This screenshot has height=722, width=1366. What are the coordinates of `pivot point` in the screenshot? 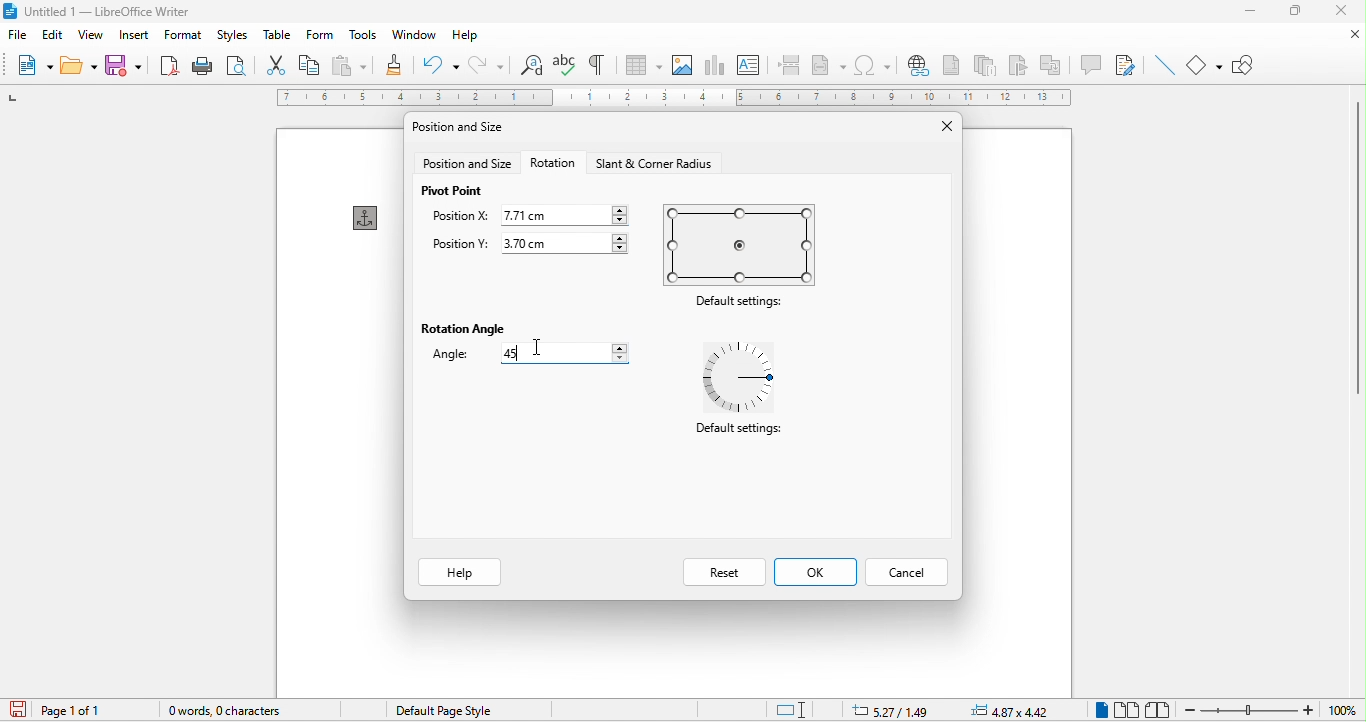 It's located at (458, 191).